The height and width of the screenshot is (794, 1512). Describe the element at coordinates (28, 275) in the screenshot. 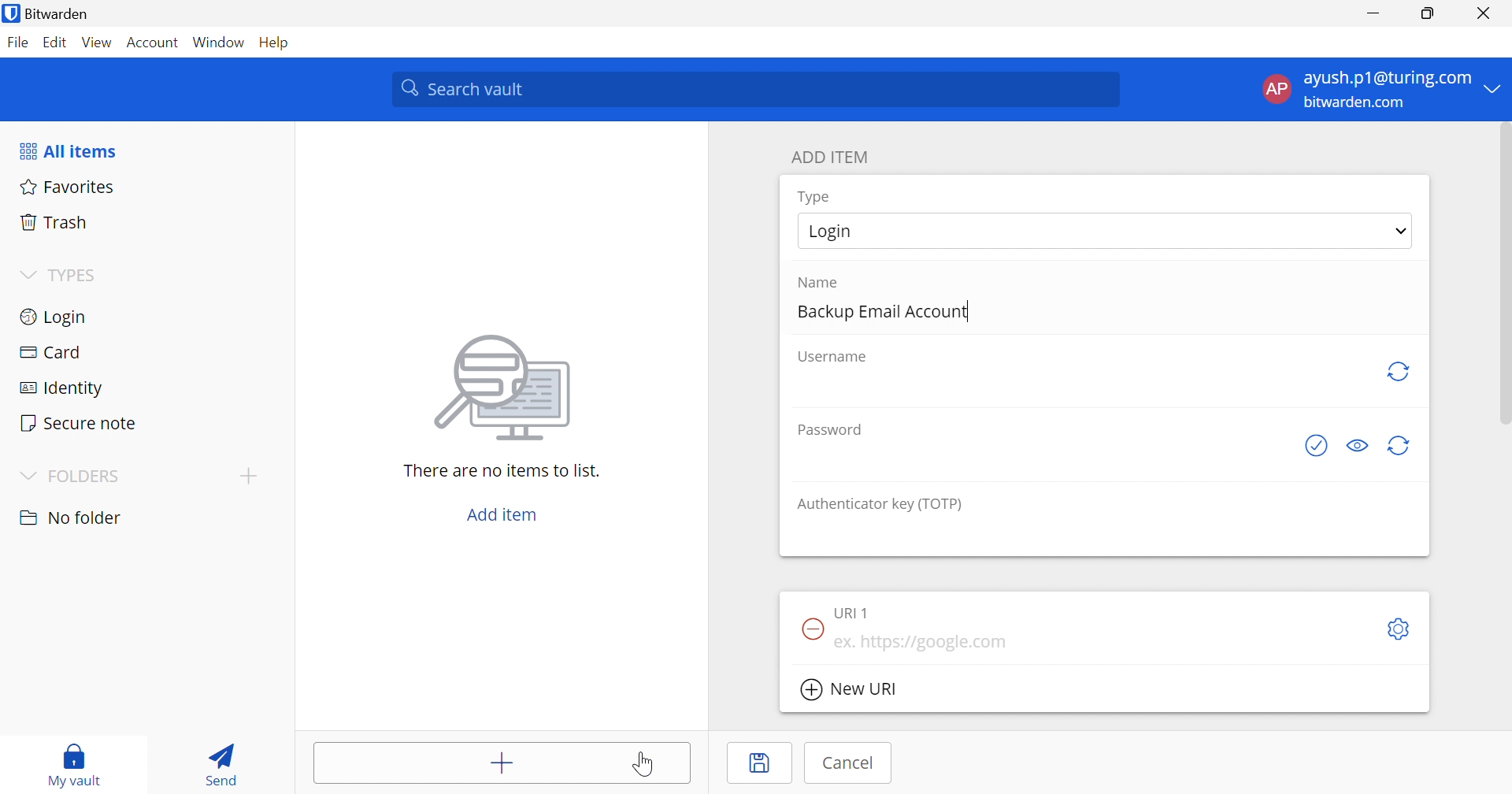

I see `Drop Down` at that location.